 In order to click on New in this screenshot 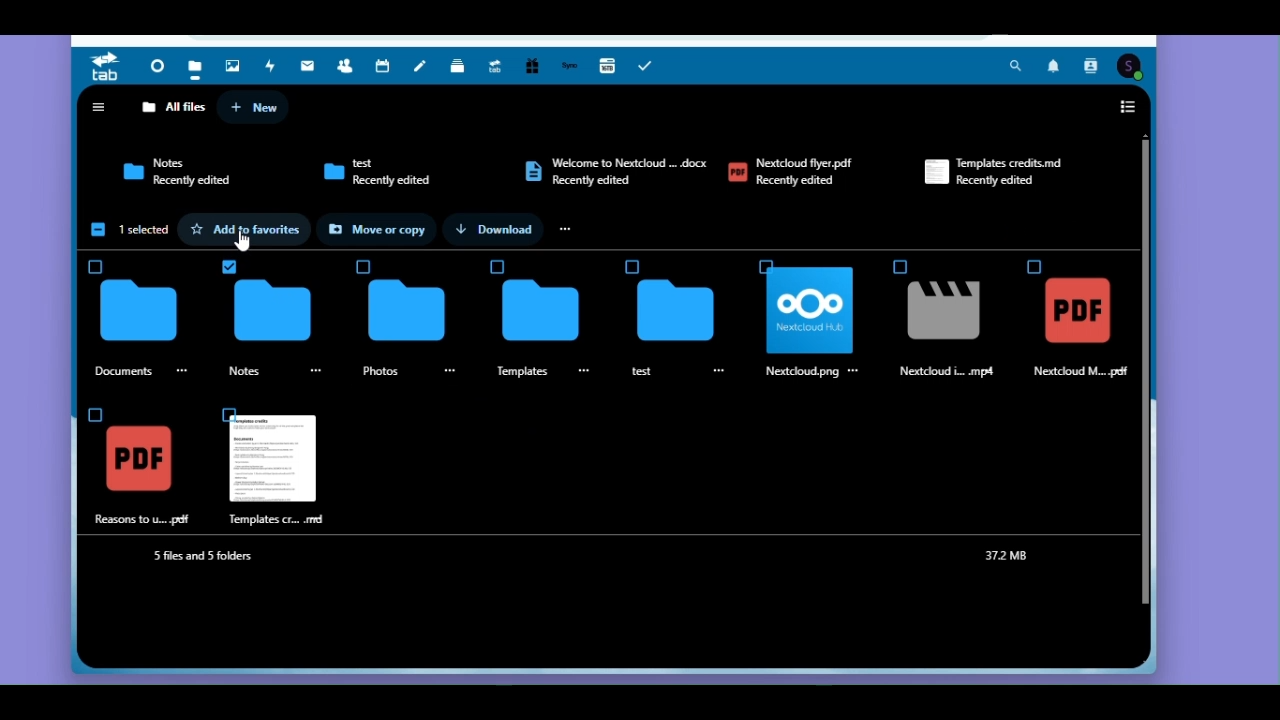, I will do `click(258, 107)`.